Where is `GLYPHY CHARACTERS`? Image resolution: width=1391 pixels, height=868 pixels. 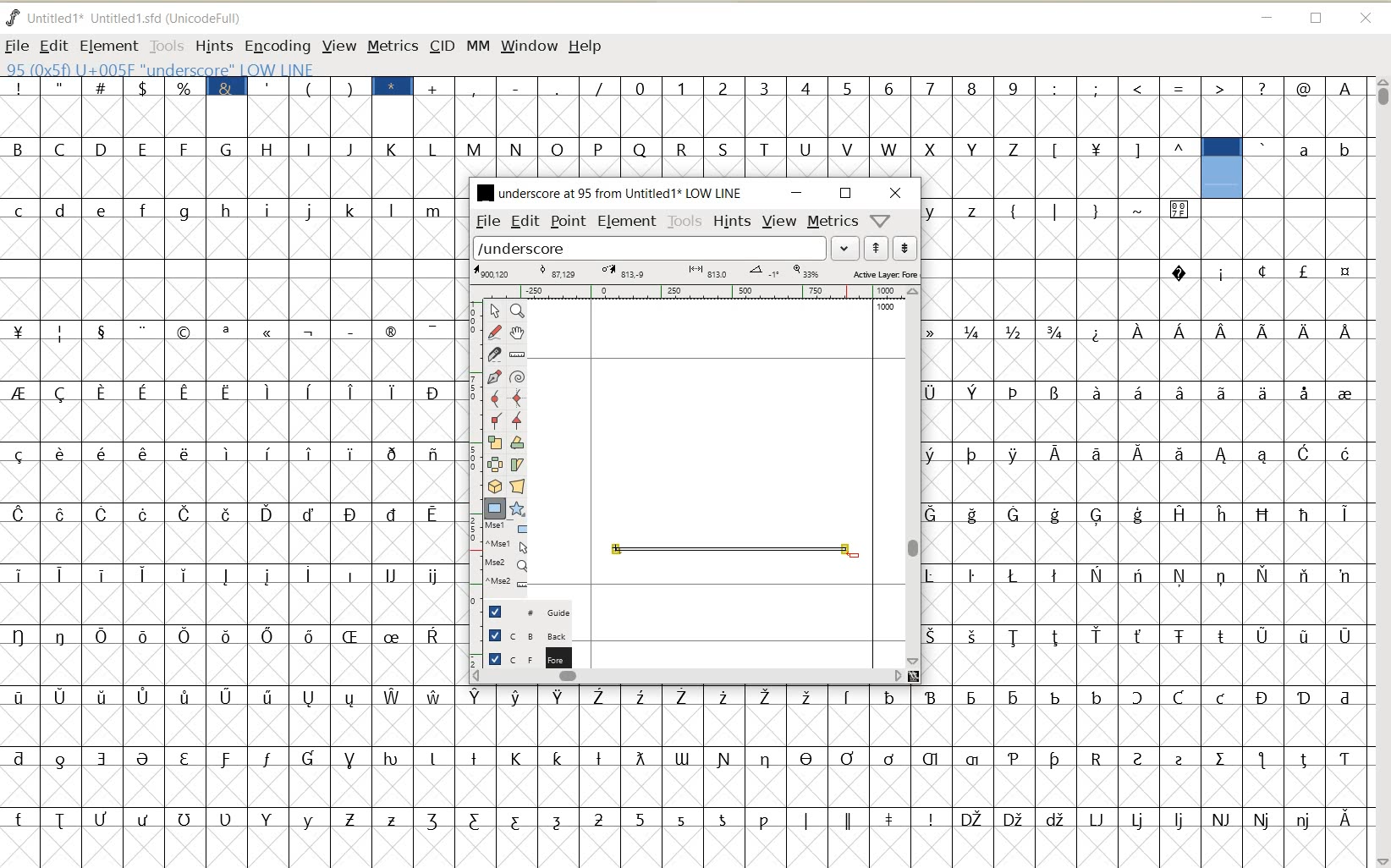
GLYPHY CHARACTERS is located at coordinates (1059, 491).